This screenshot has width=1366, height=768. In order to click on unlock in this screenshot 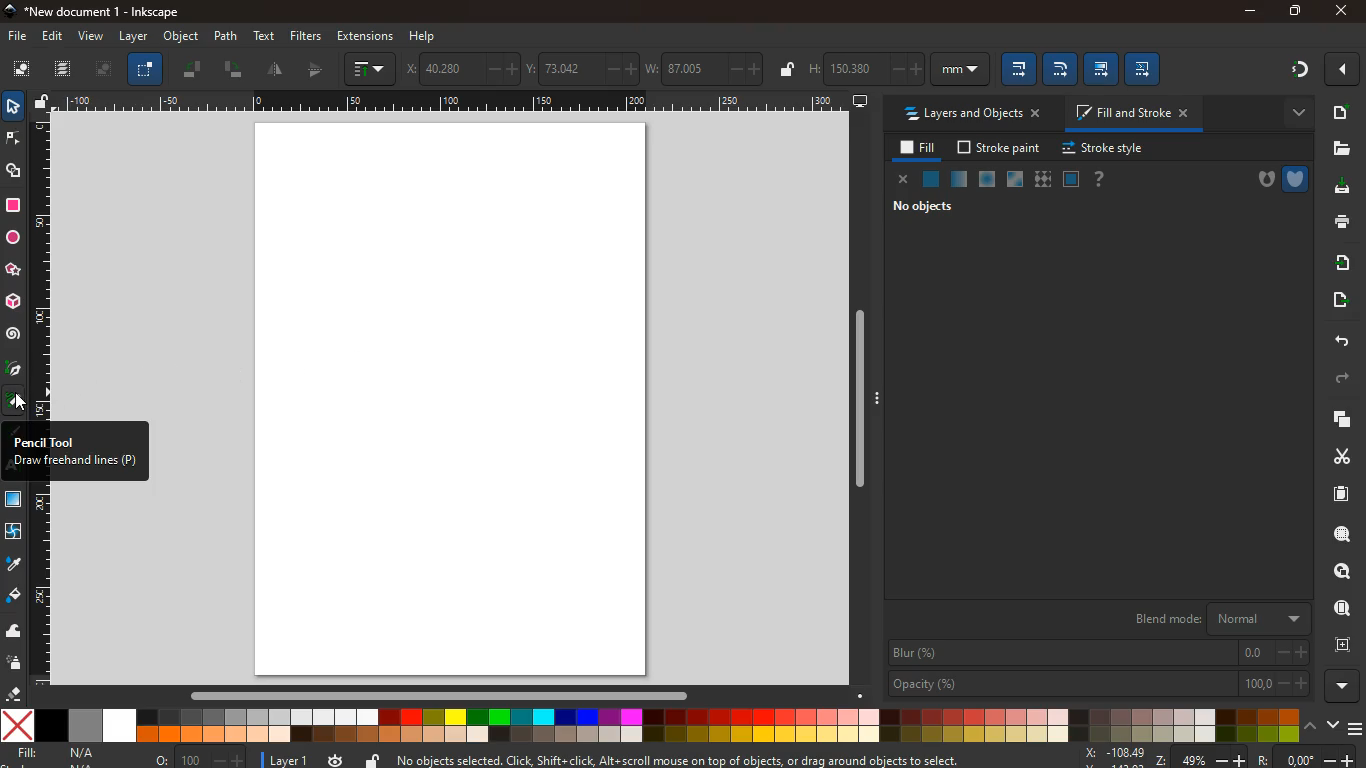, I will do `click(44, 102)`.